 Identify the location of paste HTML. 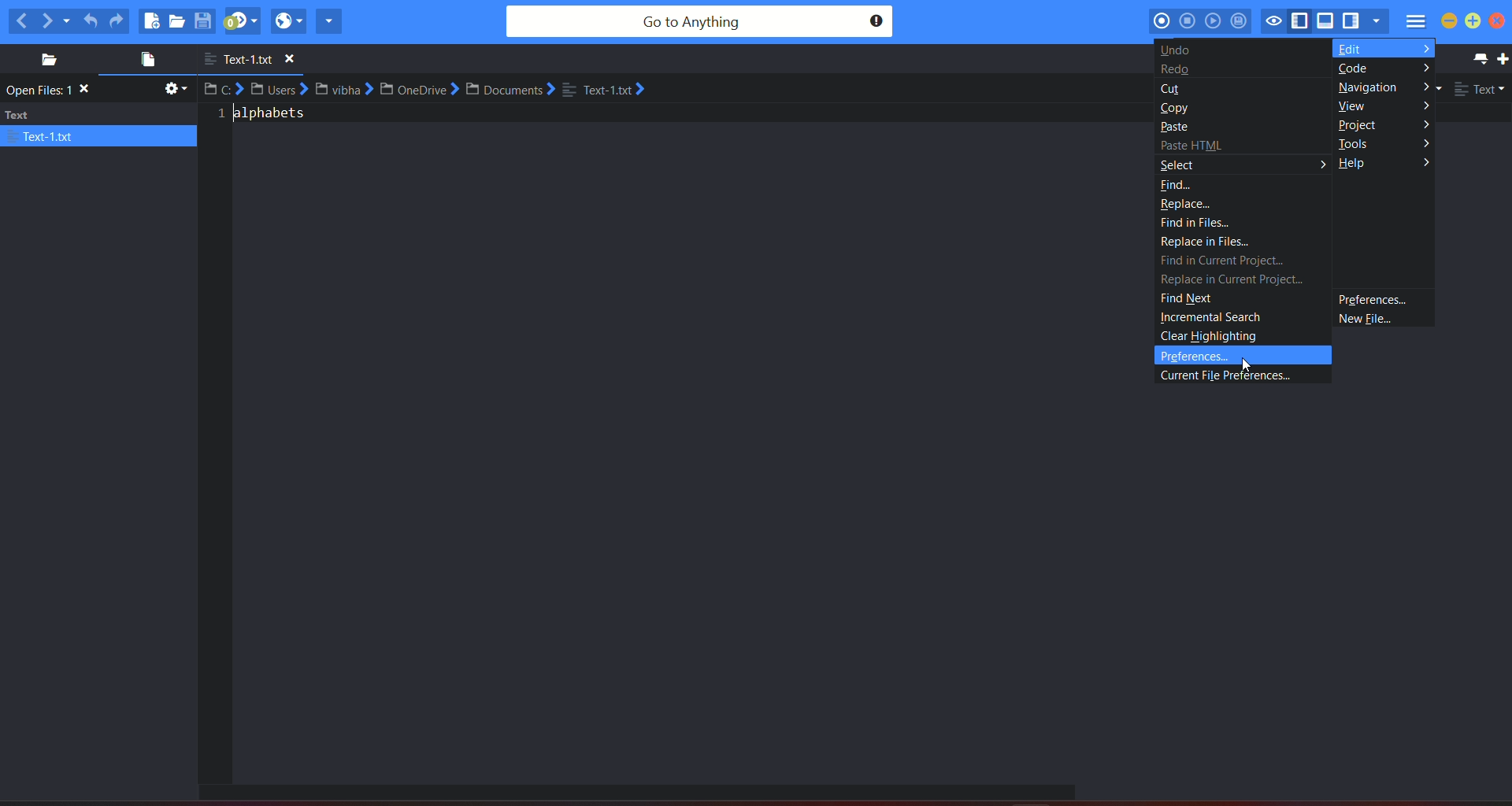
(1191, 146).